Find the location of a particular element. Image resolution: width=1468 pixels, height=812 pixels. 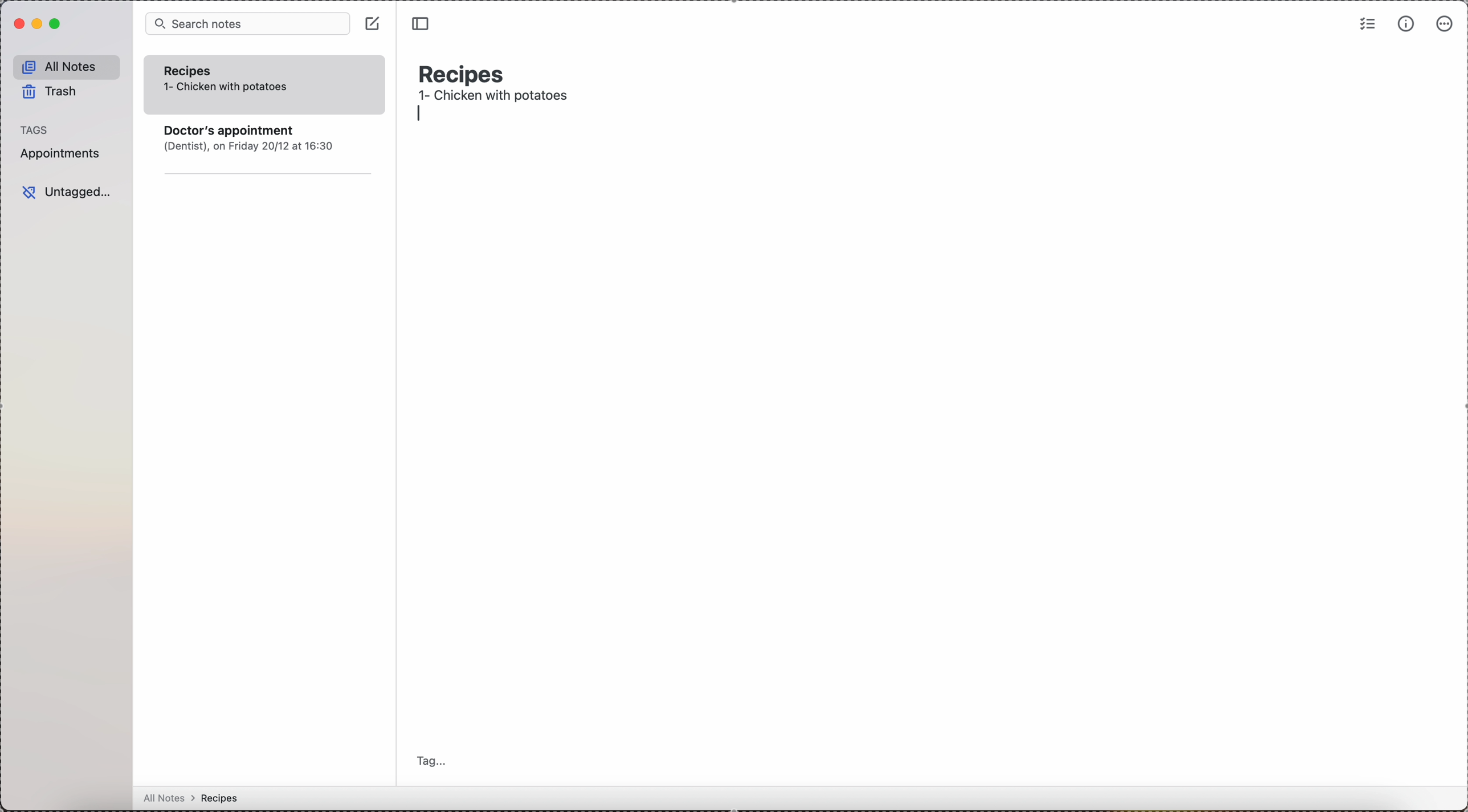

more options is located at coordinates (1443, 25).